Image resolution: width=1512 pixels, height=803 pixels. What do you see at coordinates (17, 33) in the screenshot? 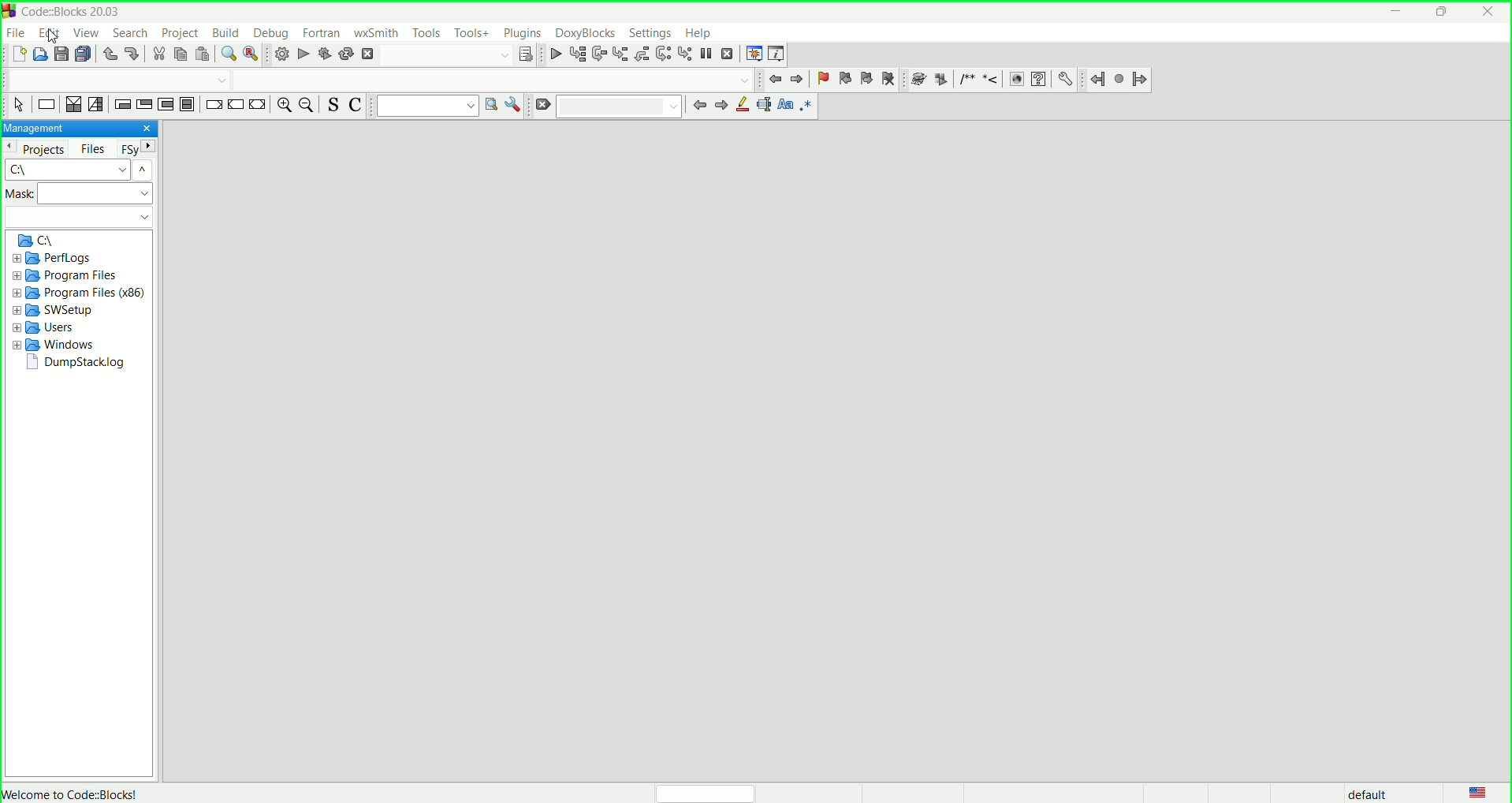
I see `file` at bounding box center [17, 33].